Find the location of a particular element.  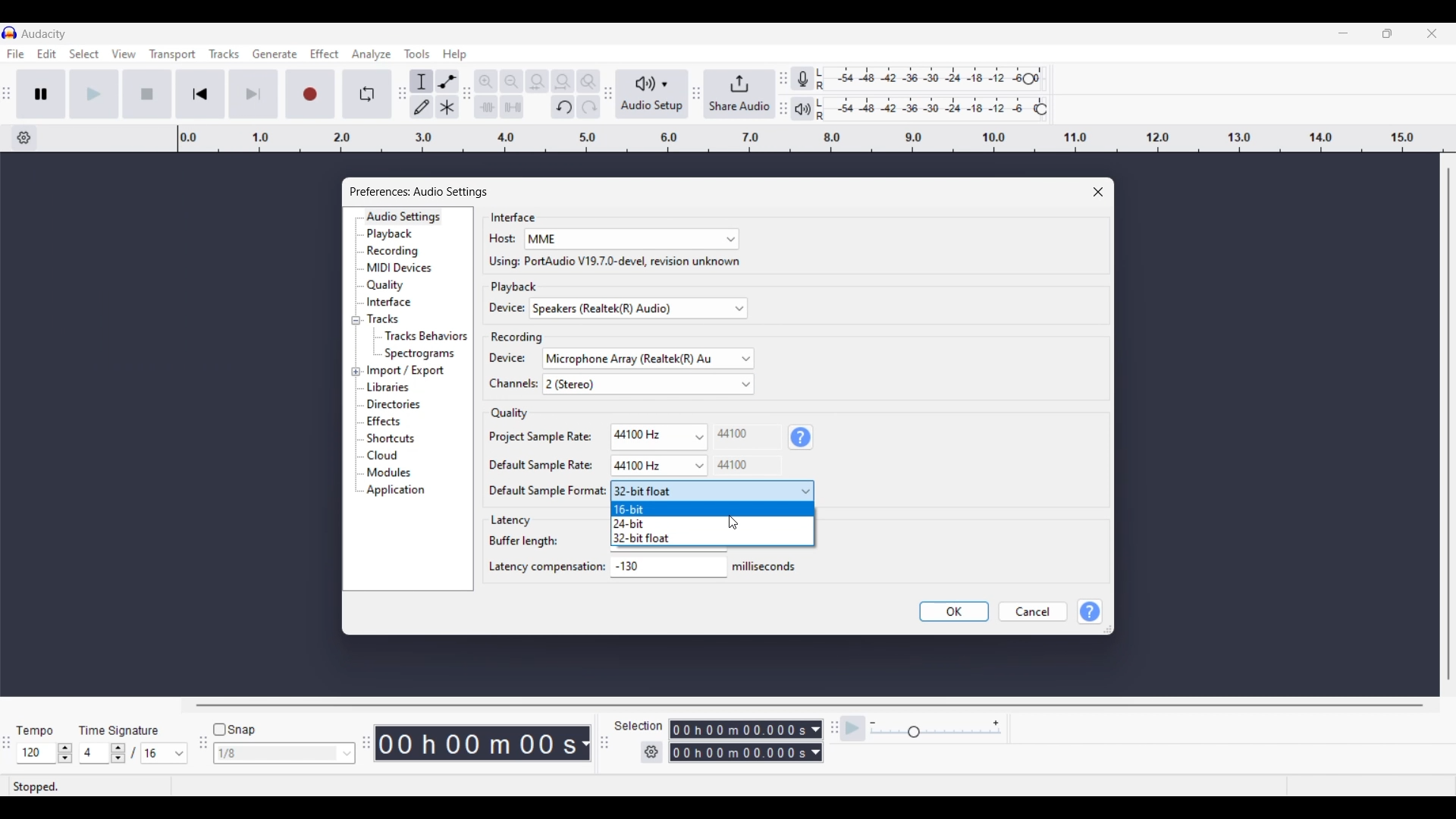

Analyze menu is located at coordinates (372, 54).